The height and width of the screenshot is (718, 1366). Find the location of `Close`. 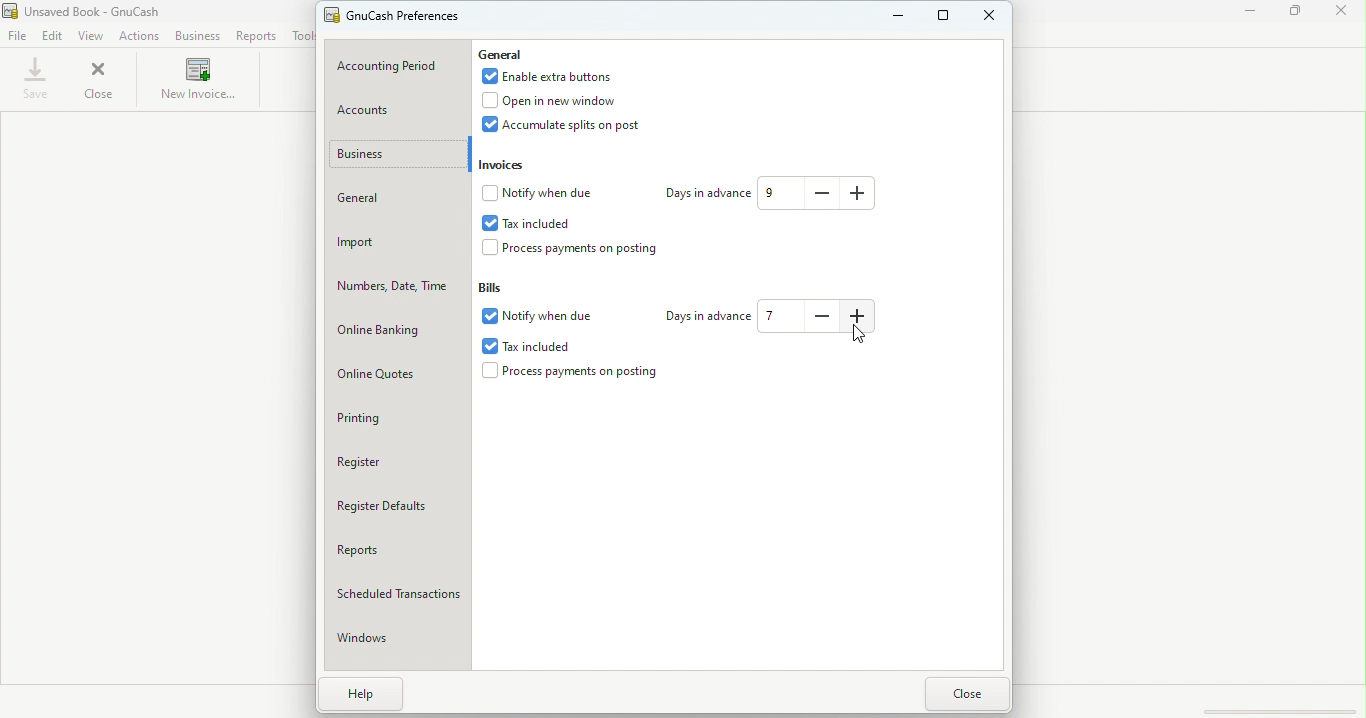

Close is located at coordinates (1346, 14).